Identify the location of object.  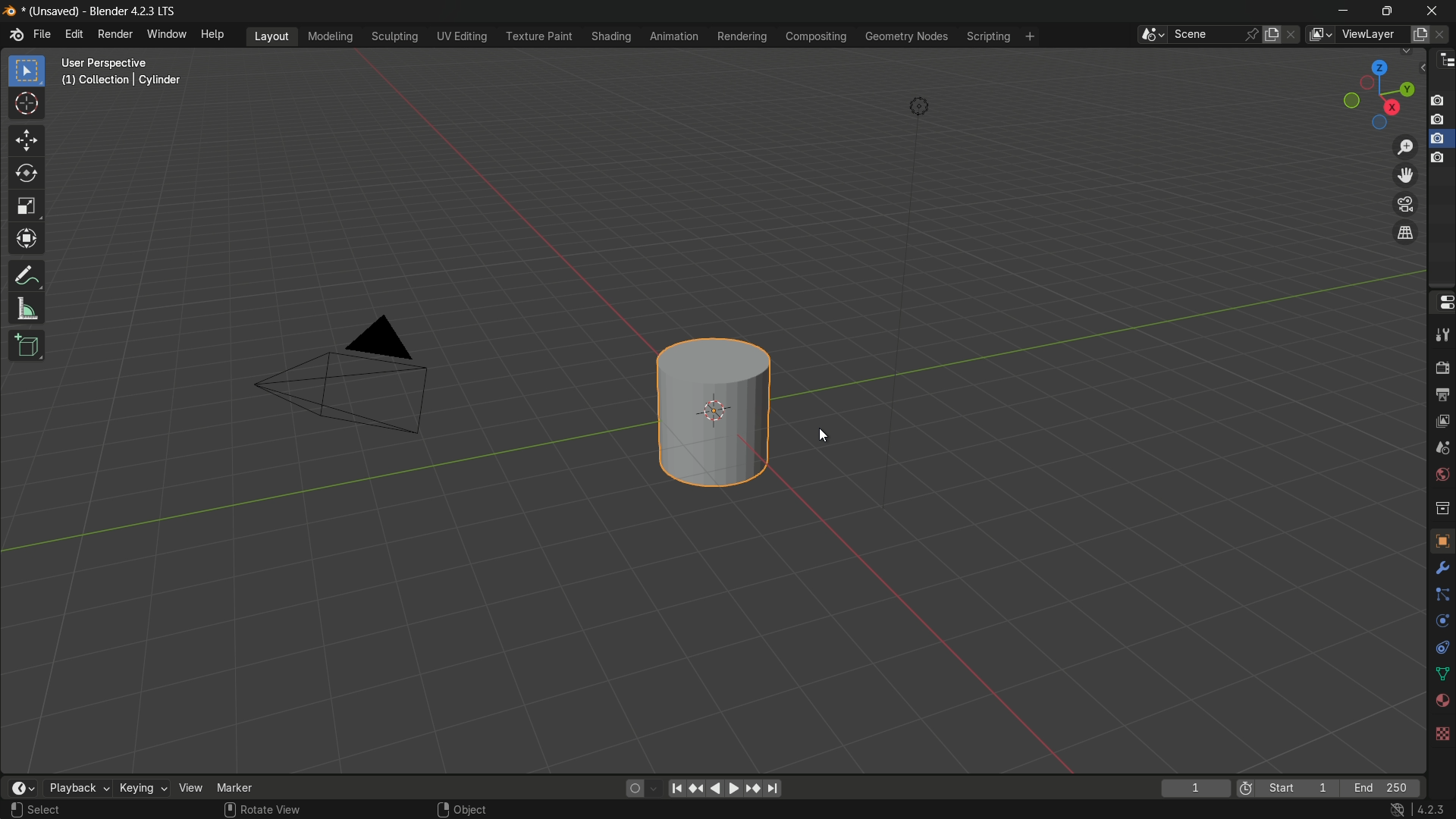
(1442, 540).